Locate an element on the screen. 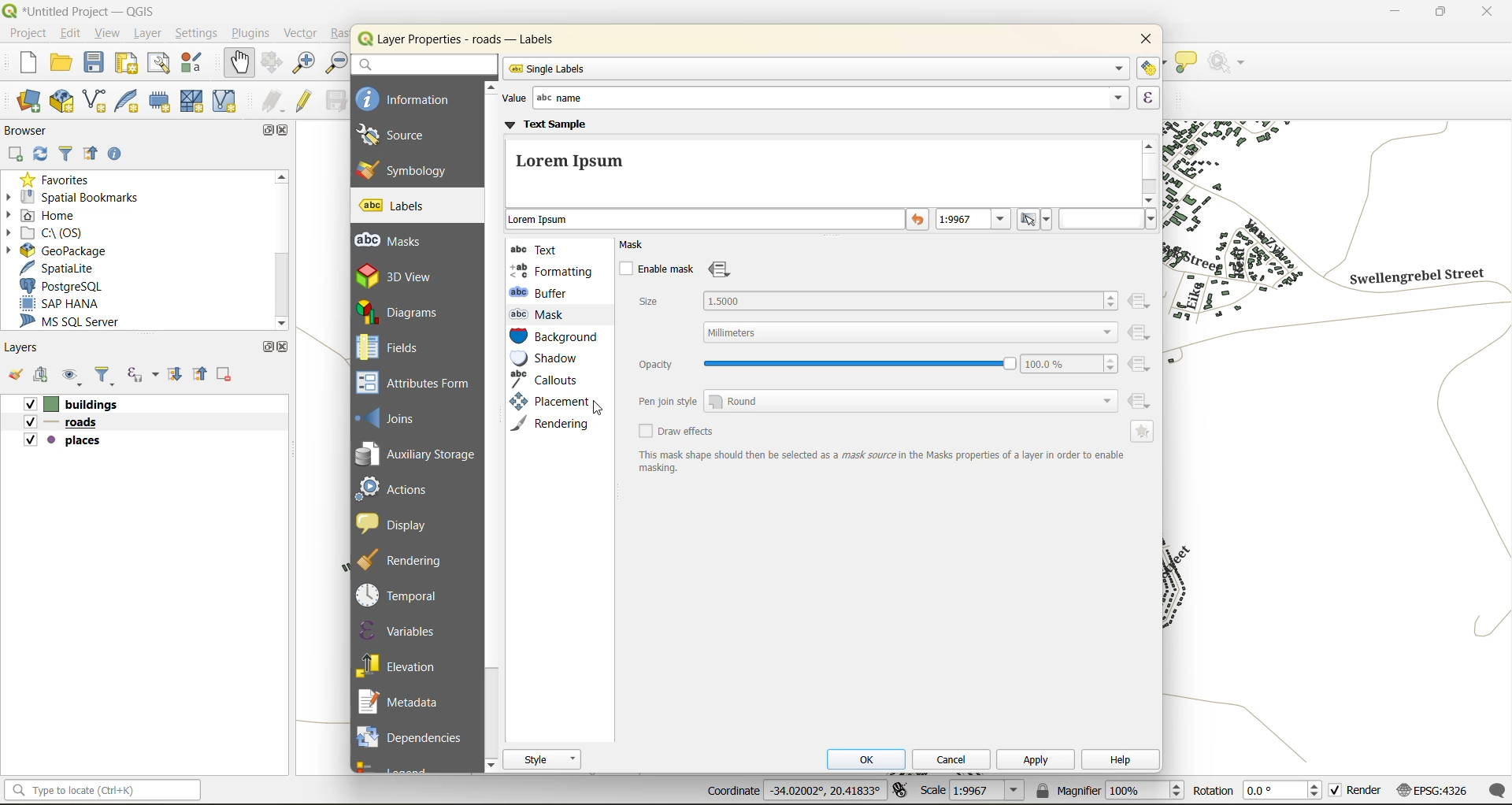 The image size is (1512, 805). postgresql is located at coordinates (69, 284).